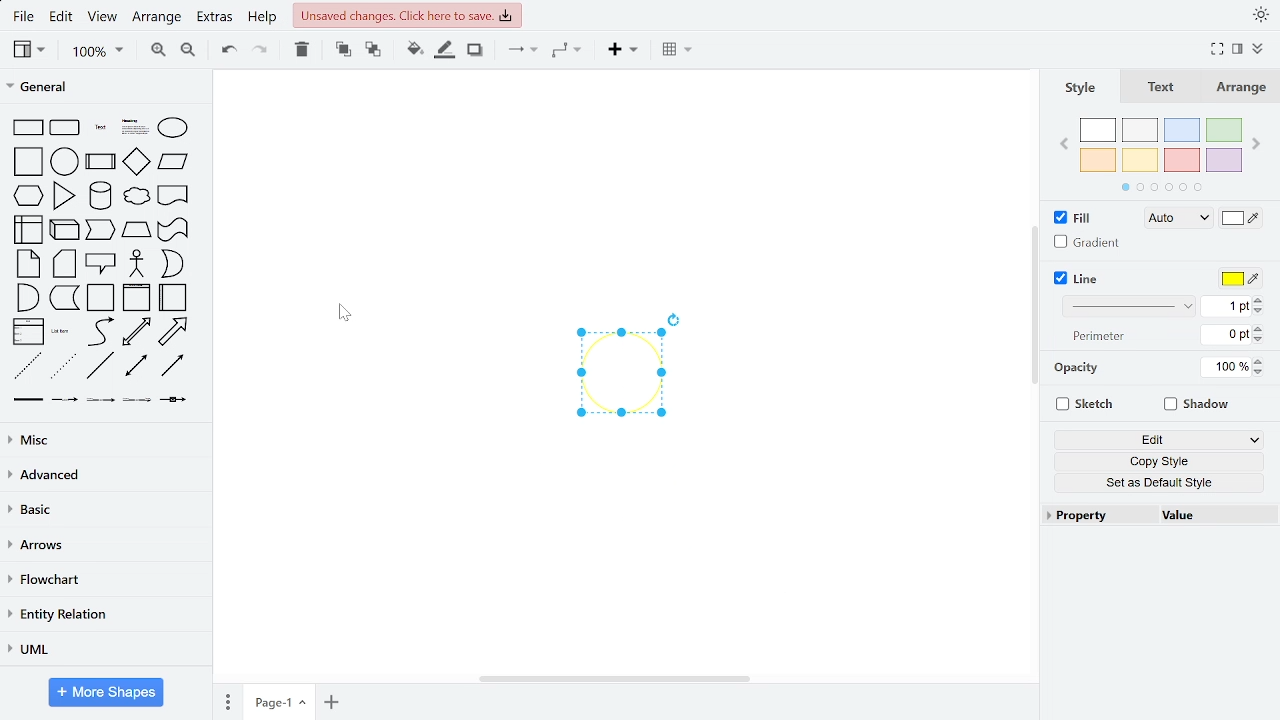 The width and height of the screenshot is (1280, 720). I want to click on vertical scrollbar, so click(1034, 308).